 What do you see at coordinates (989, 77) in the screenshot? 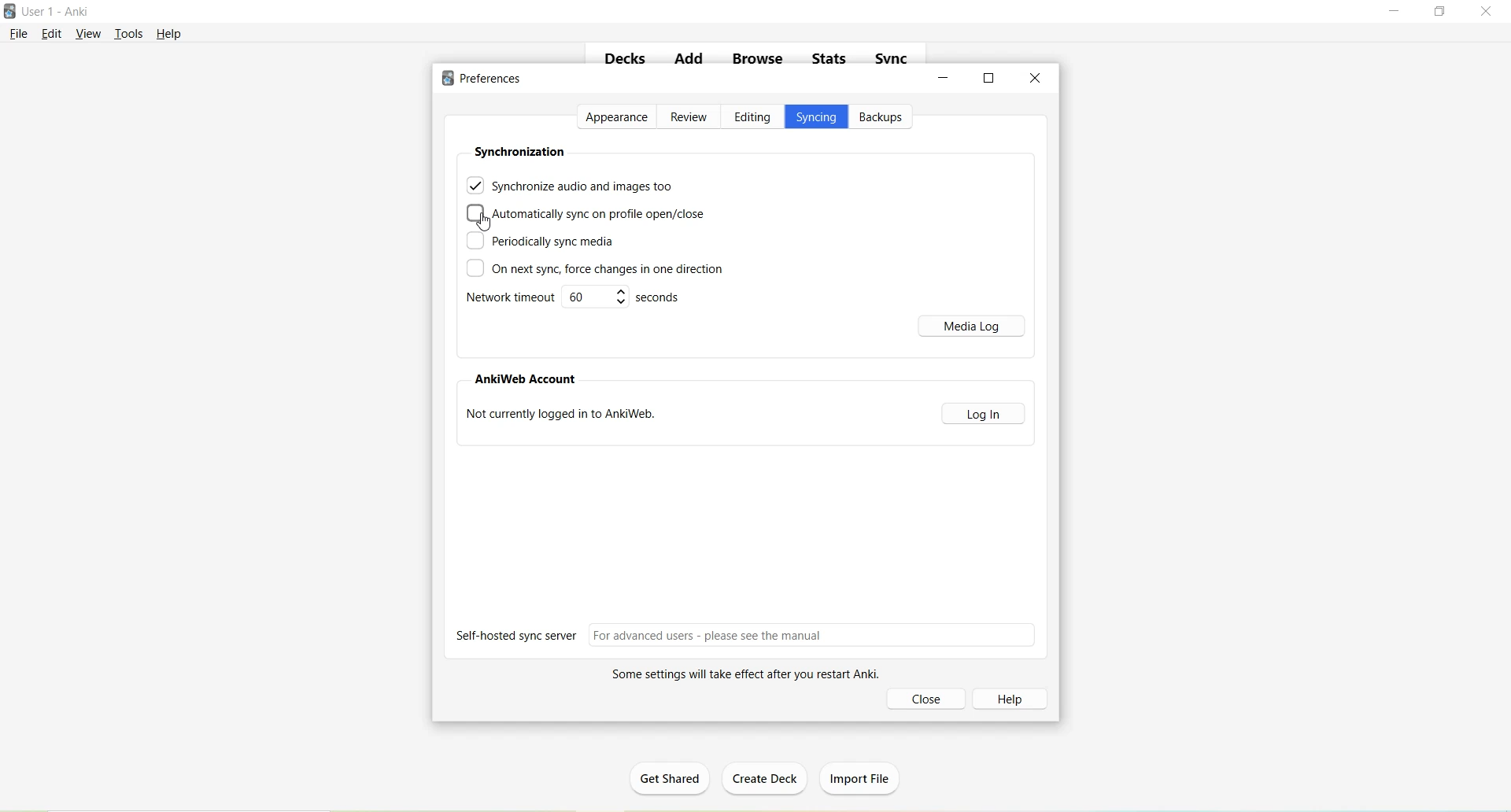
I see `Maximize` at bounding box center [989, 77].